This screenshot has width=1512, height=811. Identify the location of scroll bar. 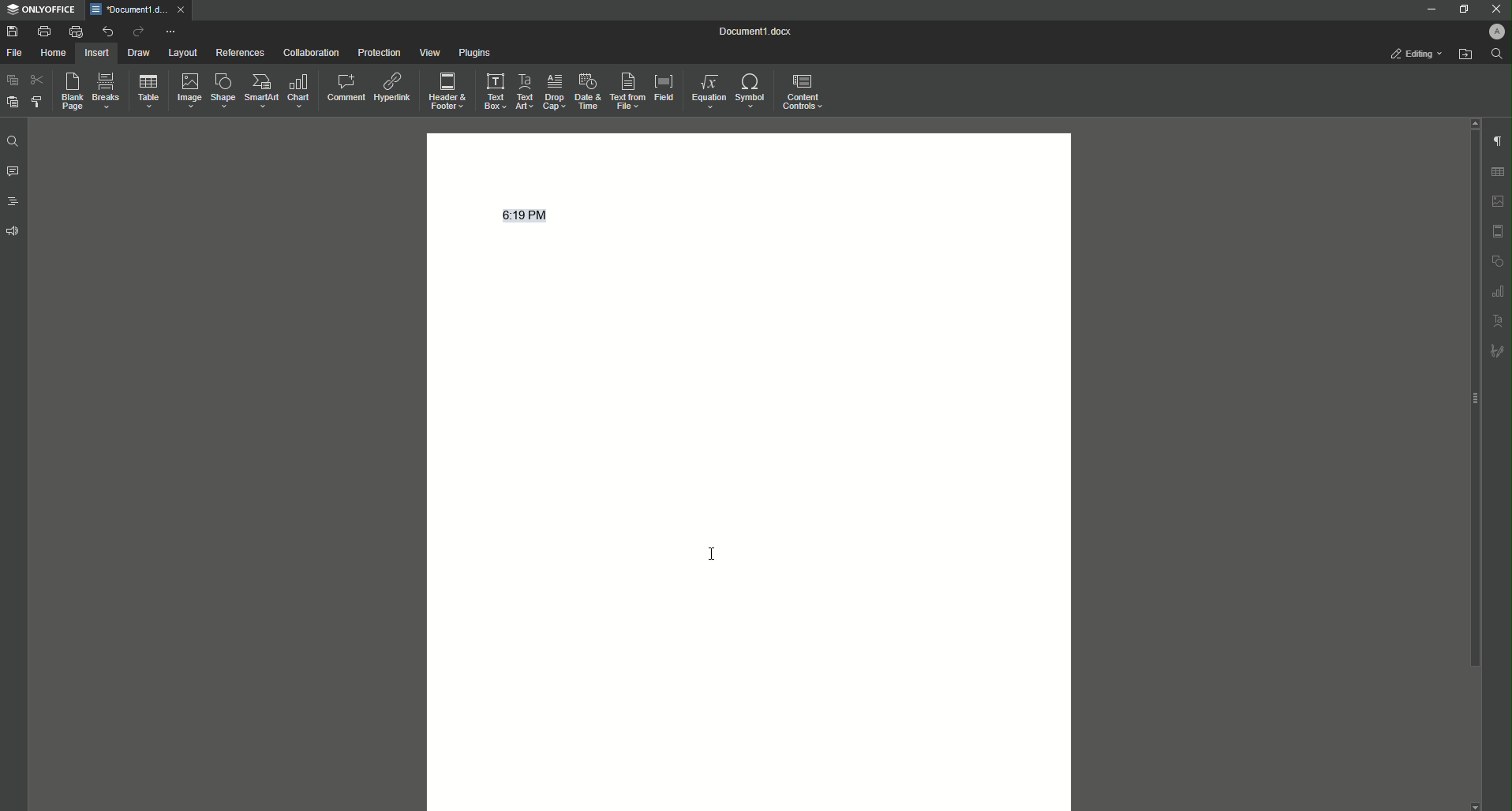
(1472, 399).